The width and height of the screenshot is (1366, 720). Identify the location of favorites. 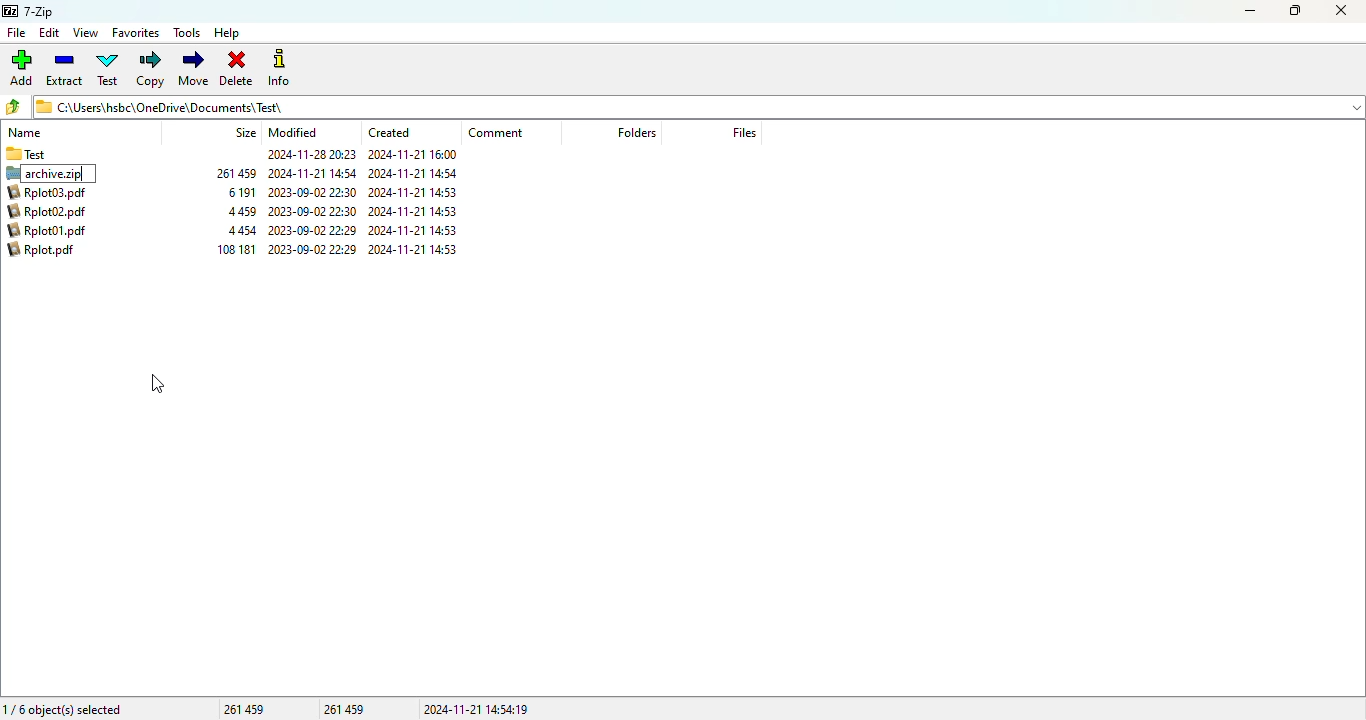
(136, 33).